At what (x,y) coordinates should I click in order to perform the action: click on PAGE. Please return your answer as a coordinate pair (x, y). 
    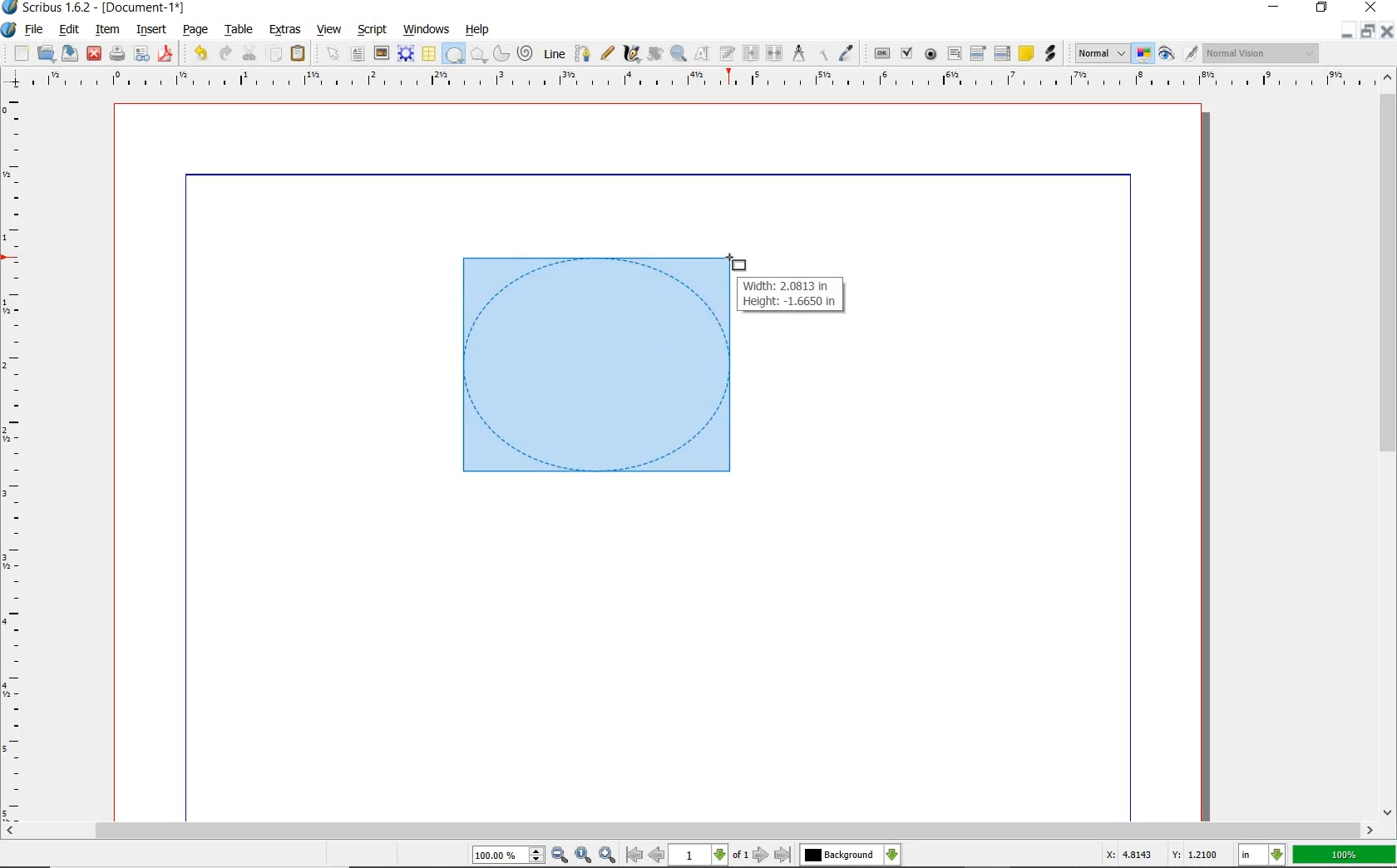
    Looking at the image, I should click on (193, 31).